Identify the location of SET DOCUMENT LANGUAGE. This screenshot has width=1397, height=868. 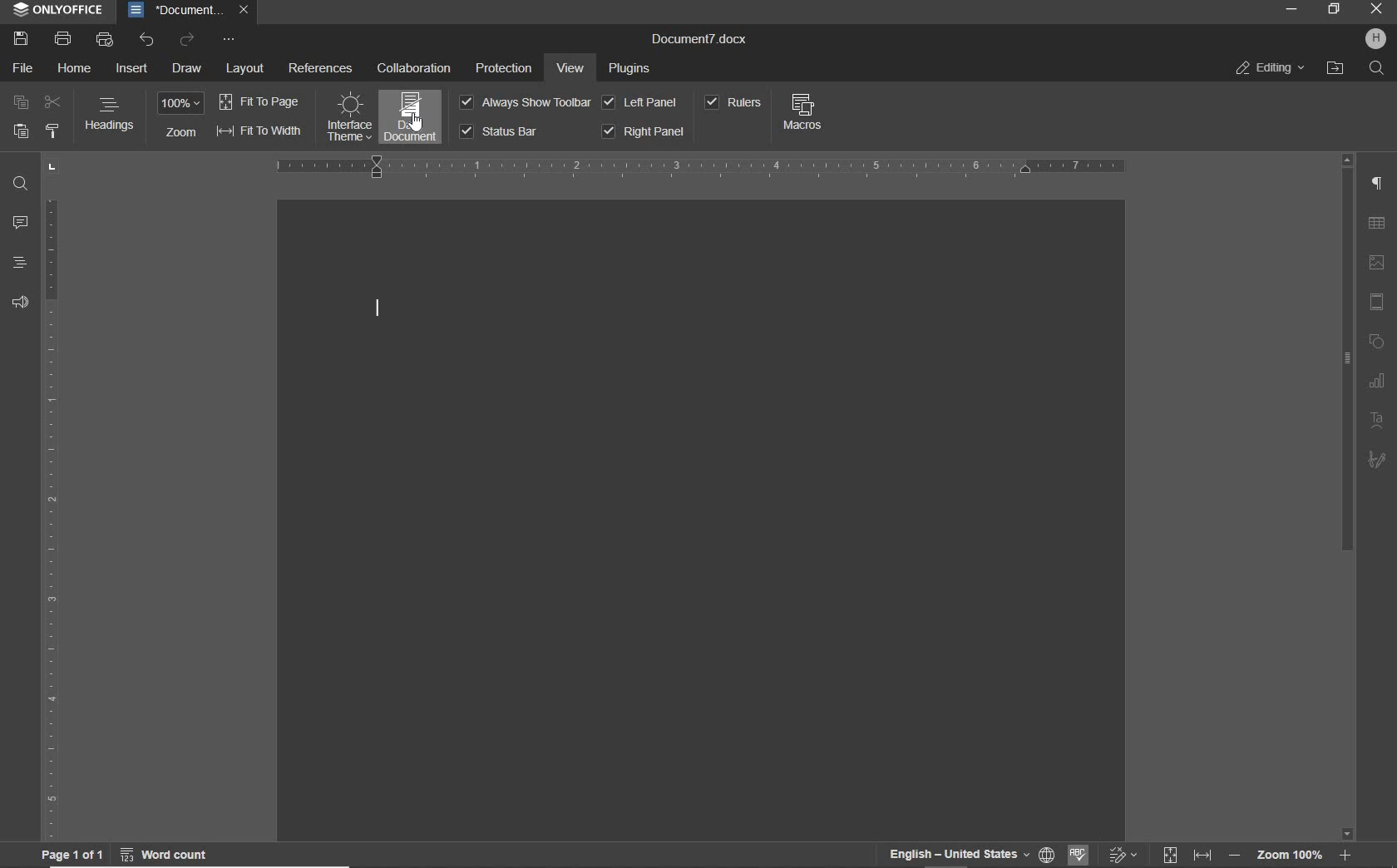
(1045, 854).